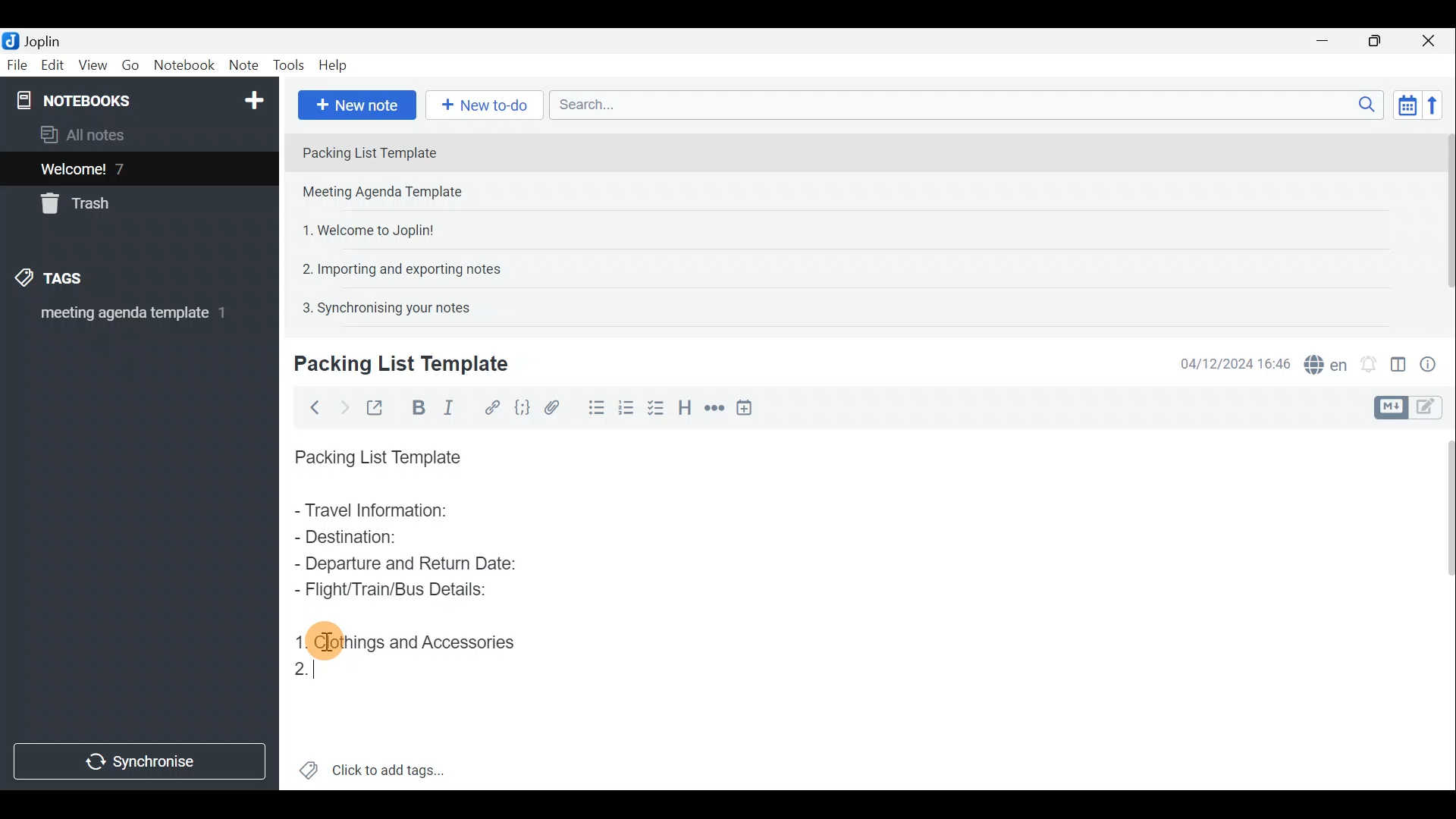 Image resolution: width=1456 pixels, height=819 pixels. Describe the element at coordinates (49, 66) in the screenshot. I see `Edit` at that location.